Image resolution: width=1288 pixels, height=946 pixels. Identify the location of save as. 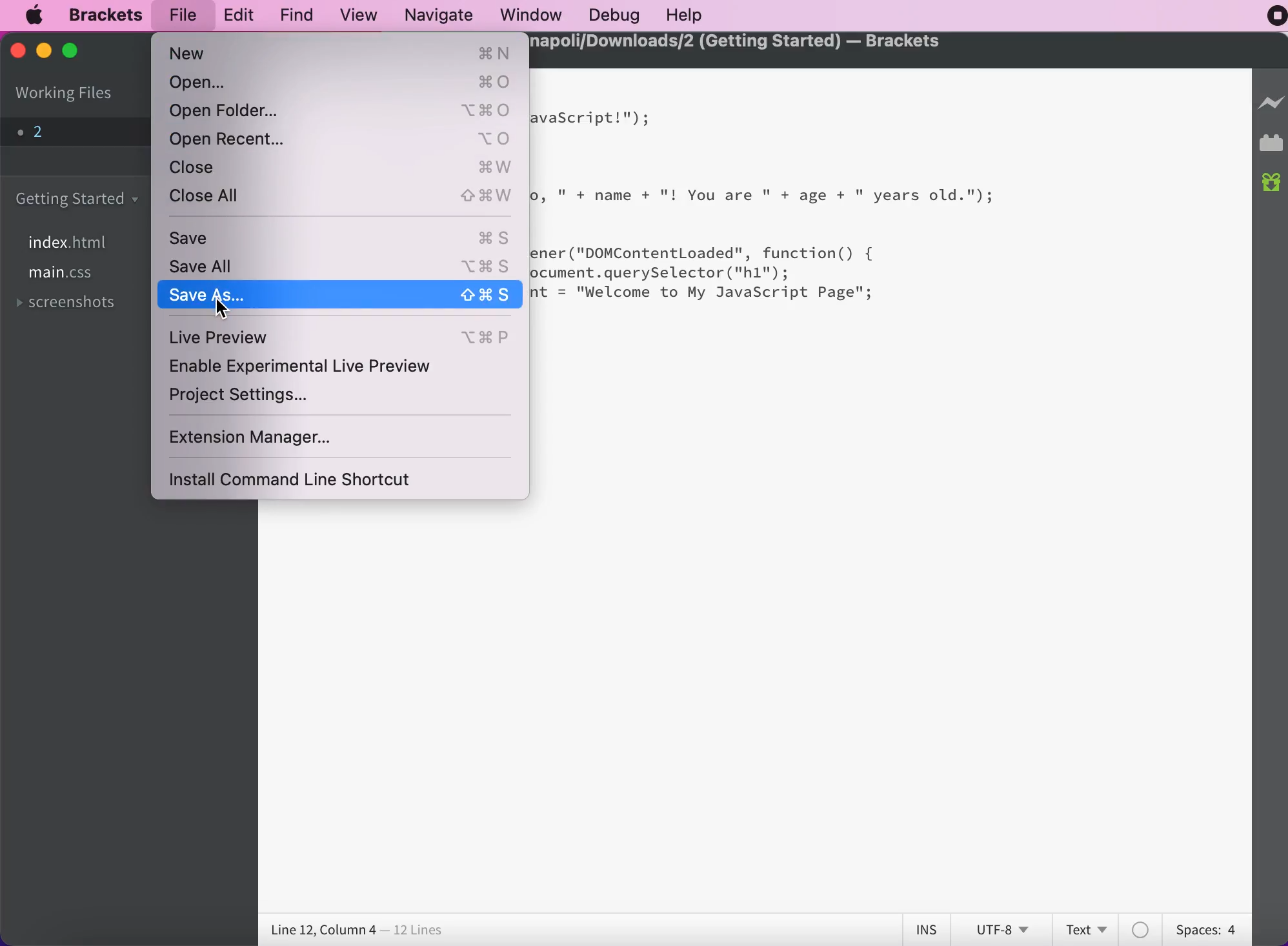
(341, 296).